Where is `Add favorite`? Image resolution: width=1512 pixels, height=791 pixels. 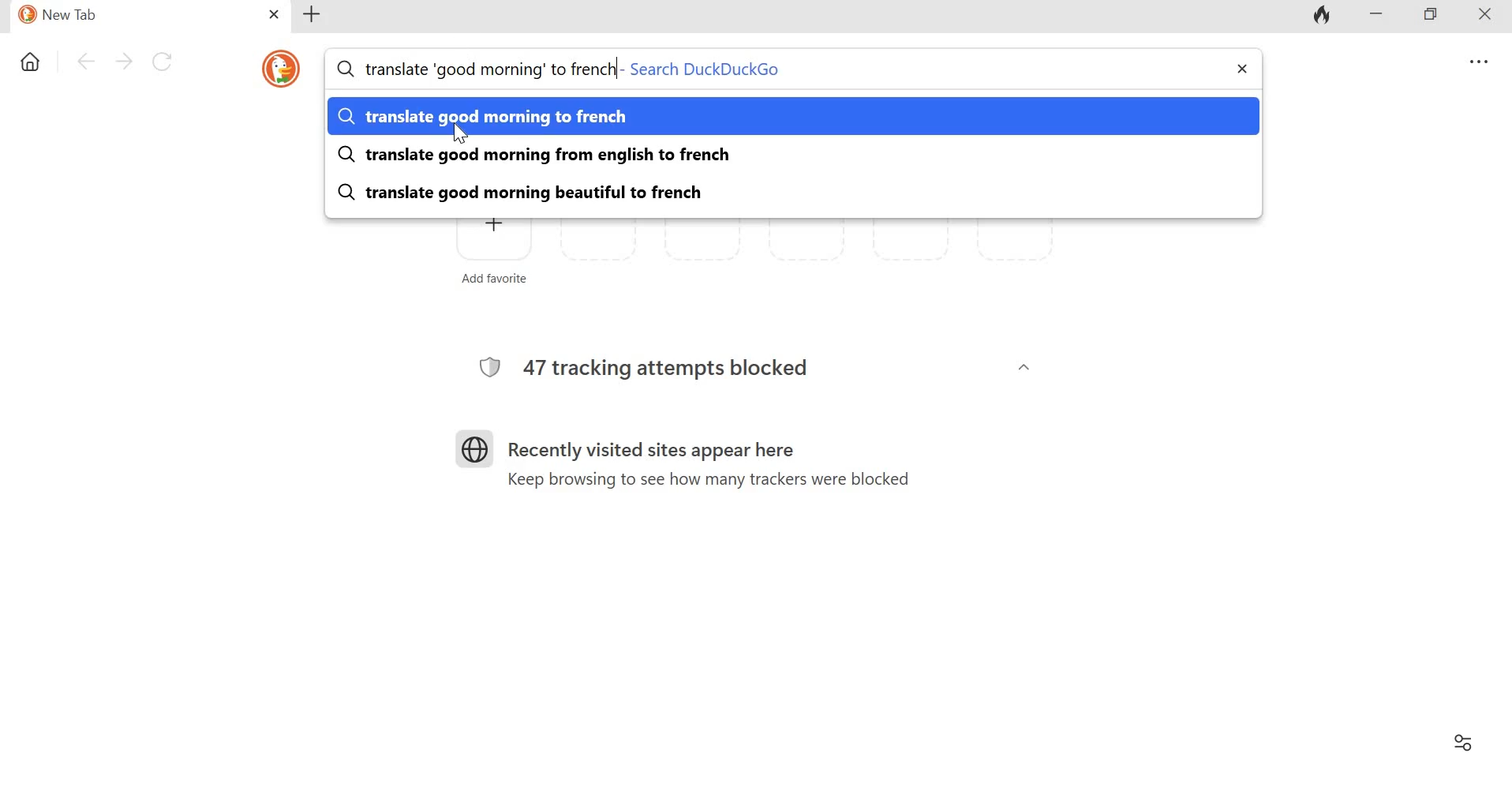
Add favorite is located at coordinates (489, 257).